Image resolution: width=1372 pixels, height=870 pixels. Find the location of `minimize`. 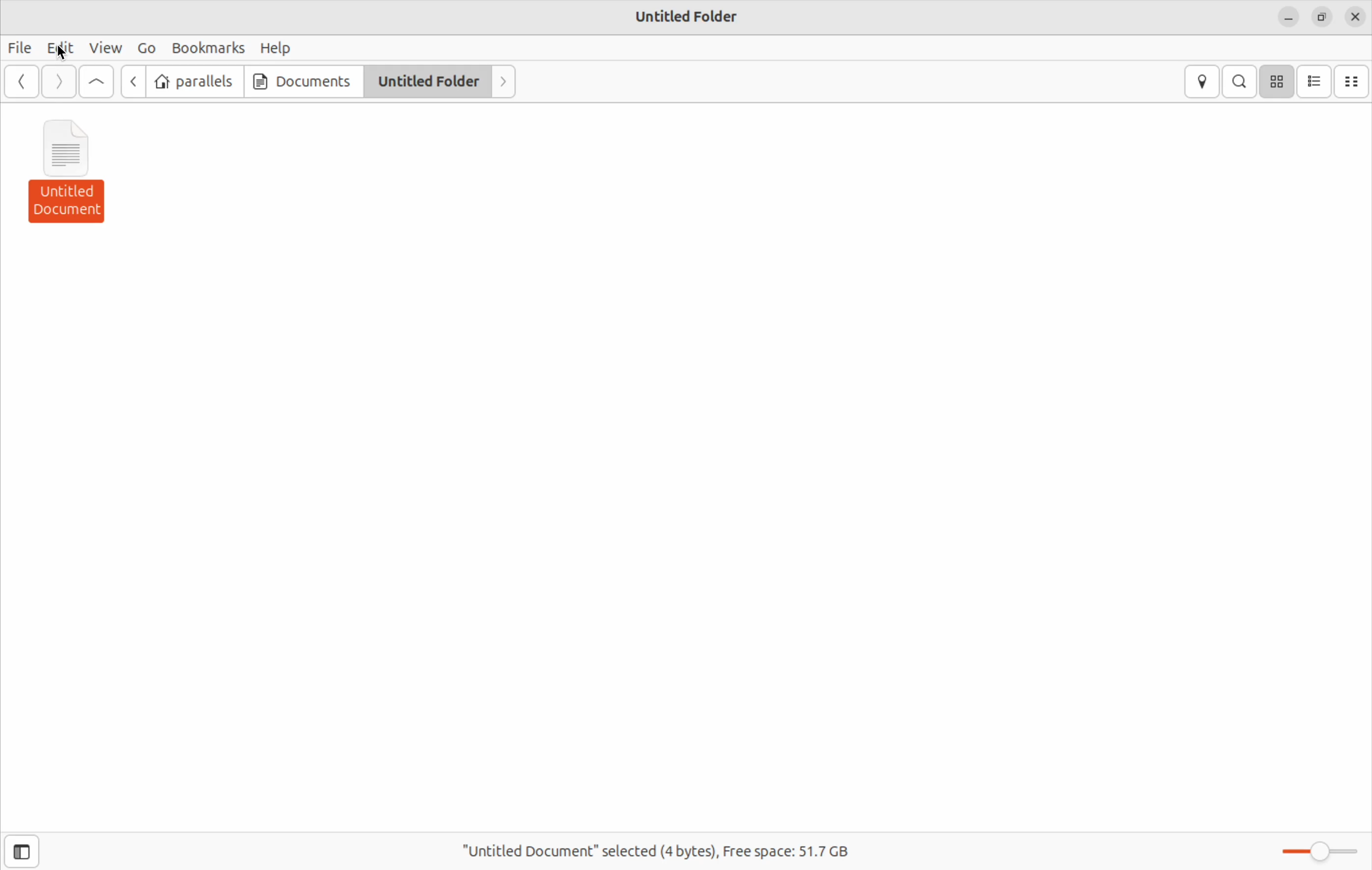

minimize is located at coordinates (1289, 21).